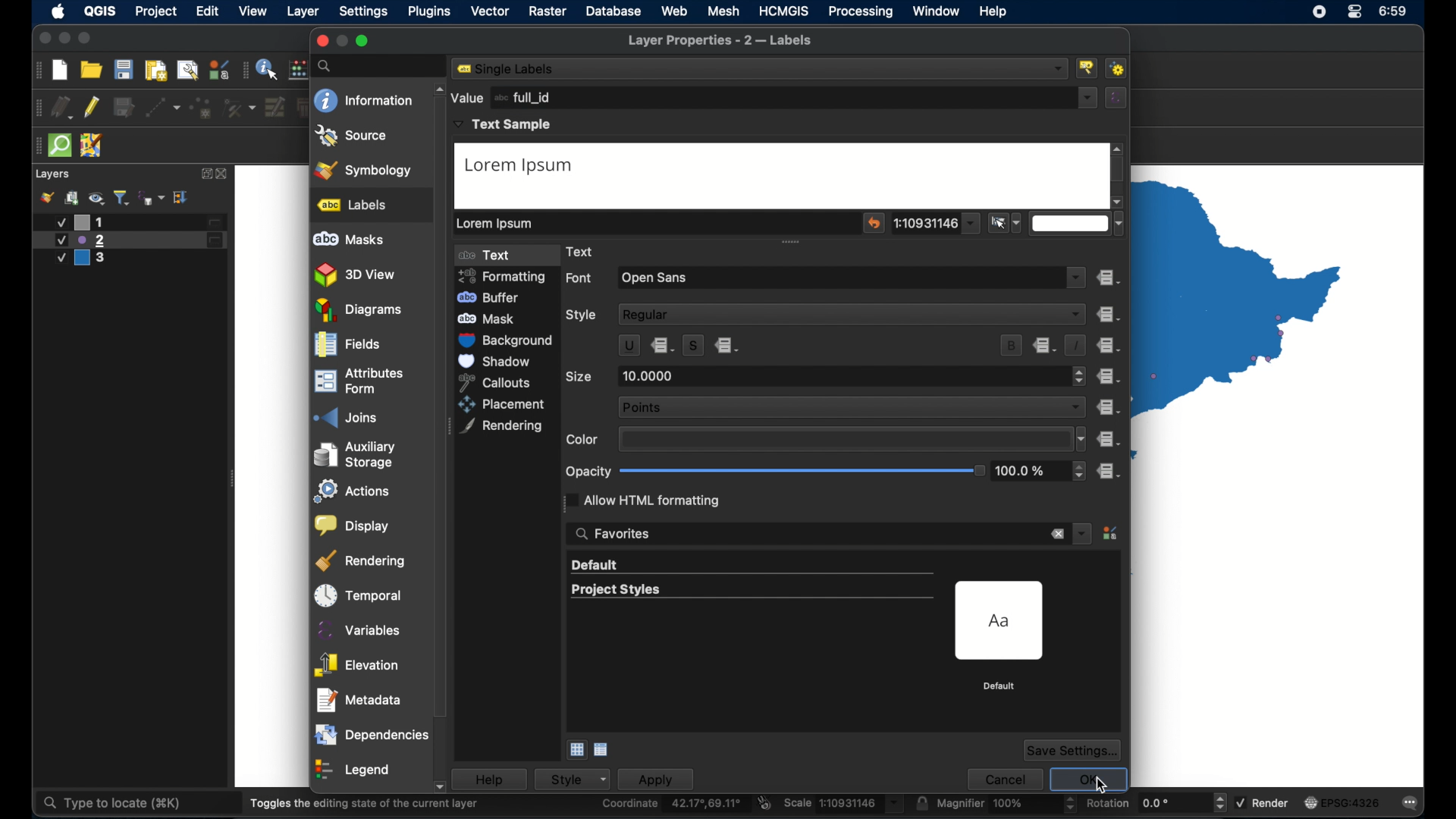 Image resolution: width=1456 pixels, height=819 pixels. Describe the element at coordinates (1073, 750) in the screenshot. I see `save settings` at that location.